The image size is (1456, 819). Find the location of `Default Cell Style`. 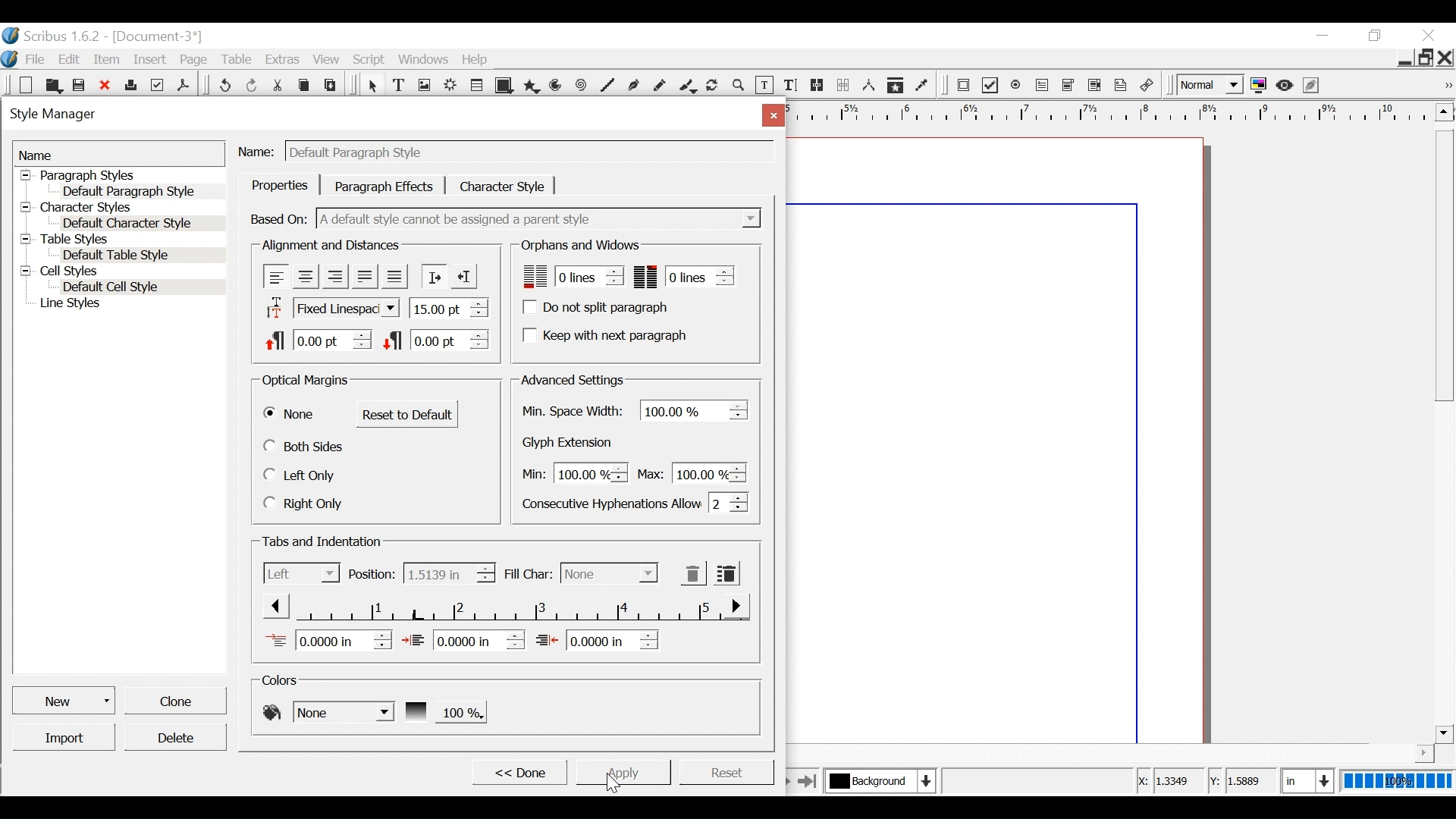

Default Cell Style is located at coordinates (143, 288).